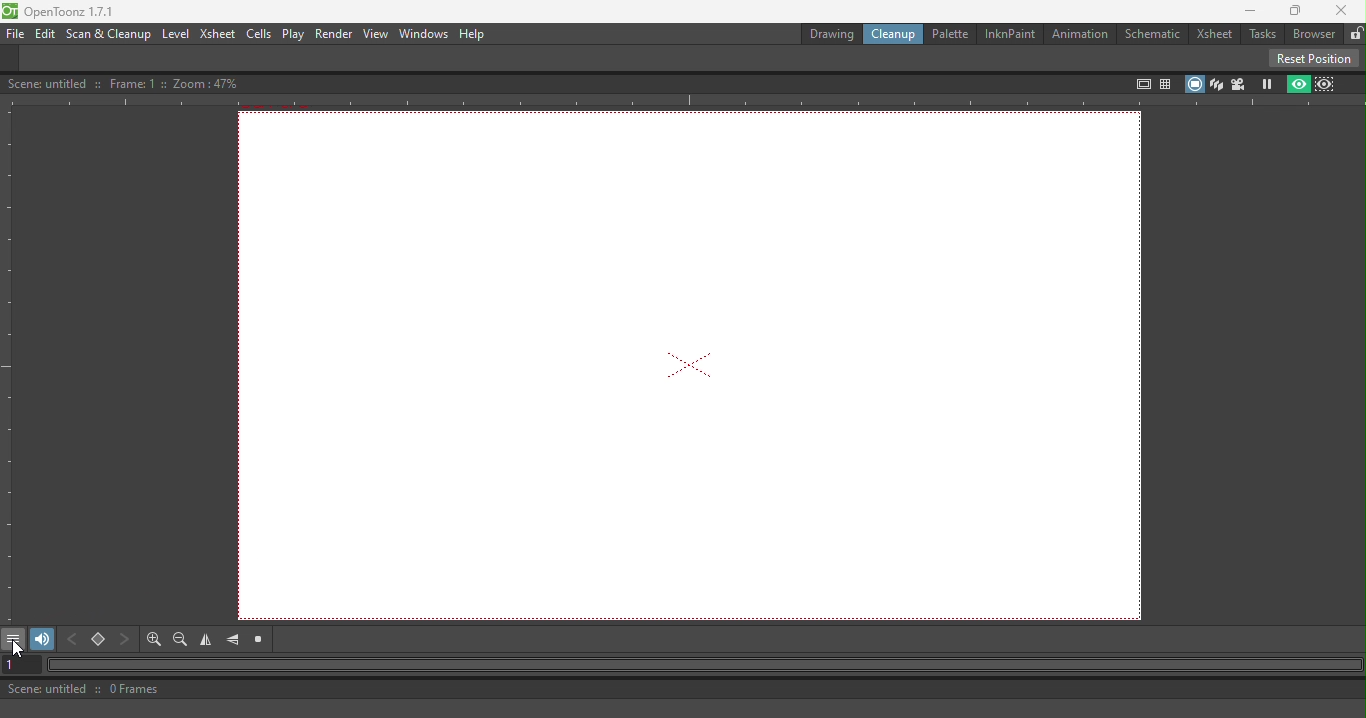  What do you see at coordinates (1244, 11) in the screenshot?
I see `Minimize` at bounding box center [1244, 11].